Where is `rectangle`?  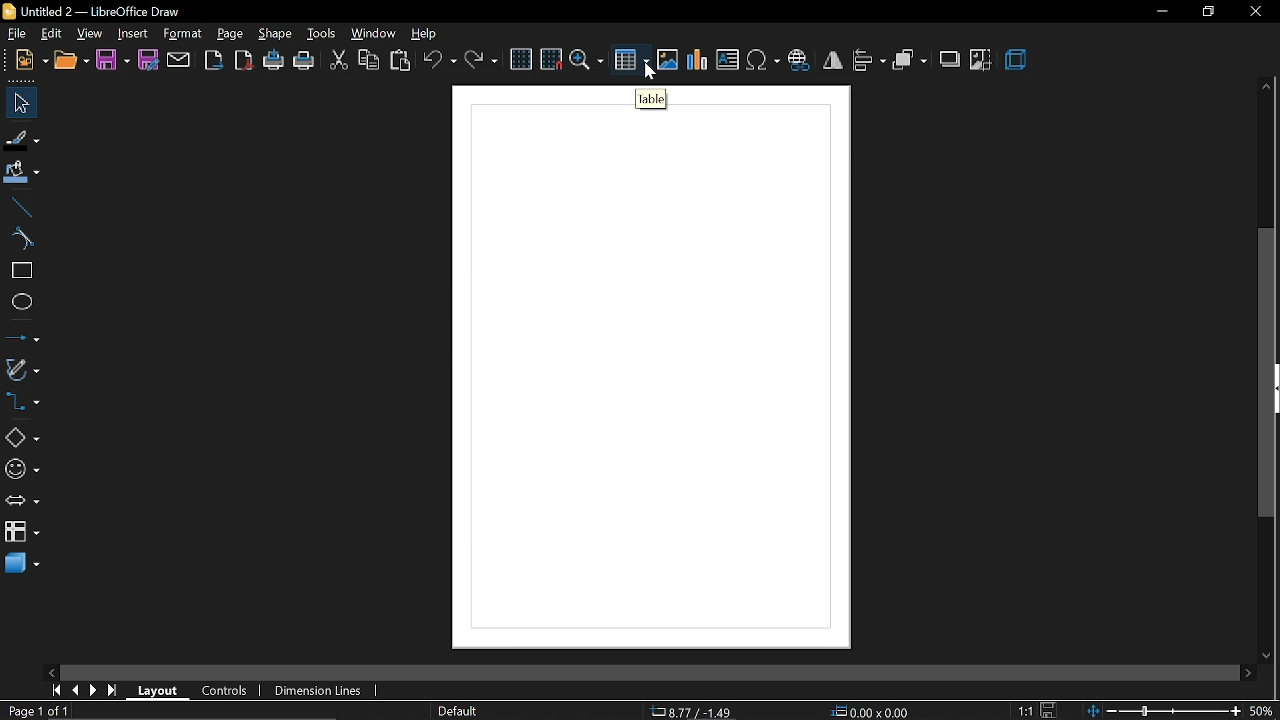 rectangle is located at coordinates (18, 271).